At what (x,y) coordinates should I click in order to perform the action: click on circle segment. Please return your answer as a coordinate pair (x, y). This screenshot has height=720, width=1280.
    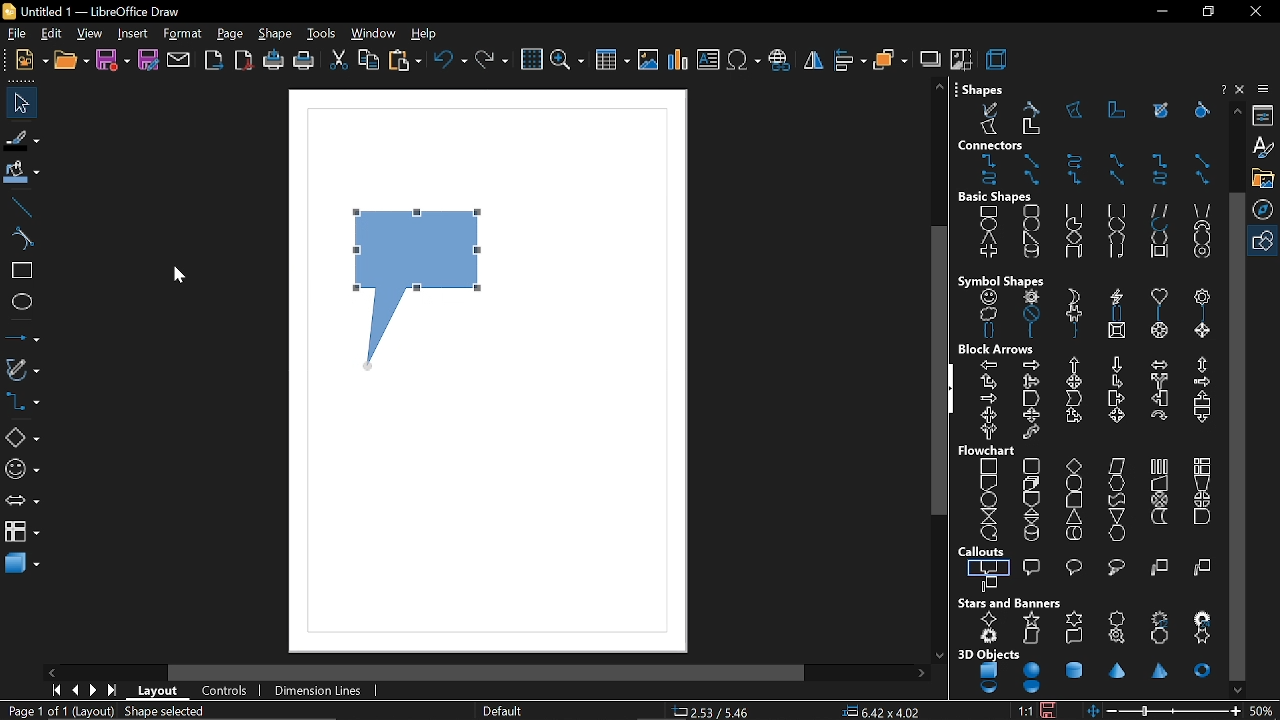
    Looking at the image, I should click on (1116, 225).